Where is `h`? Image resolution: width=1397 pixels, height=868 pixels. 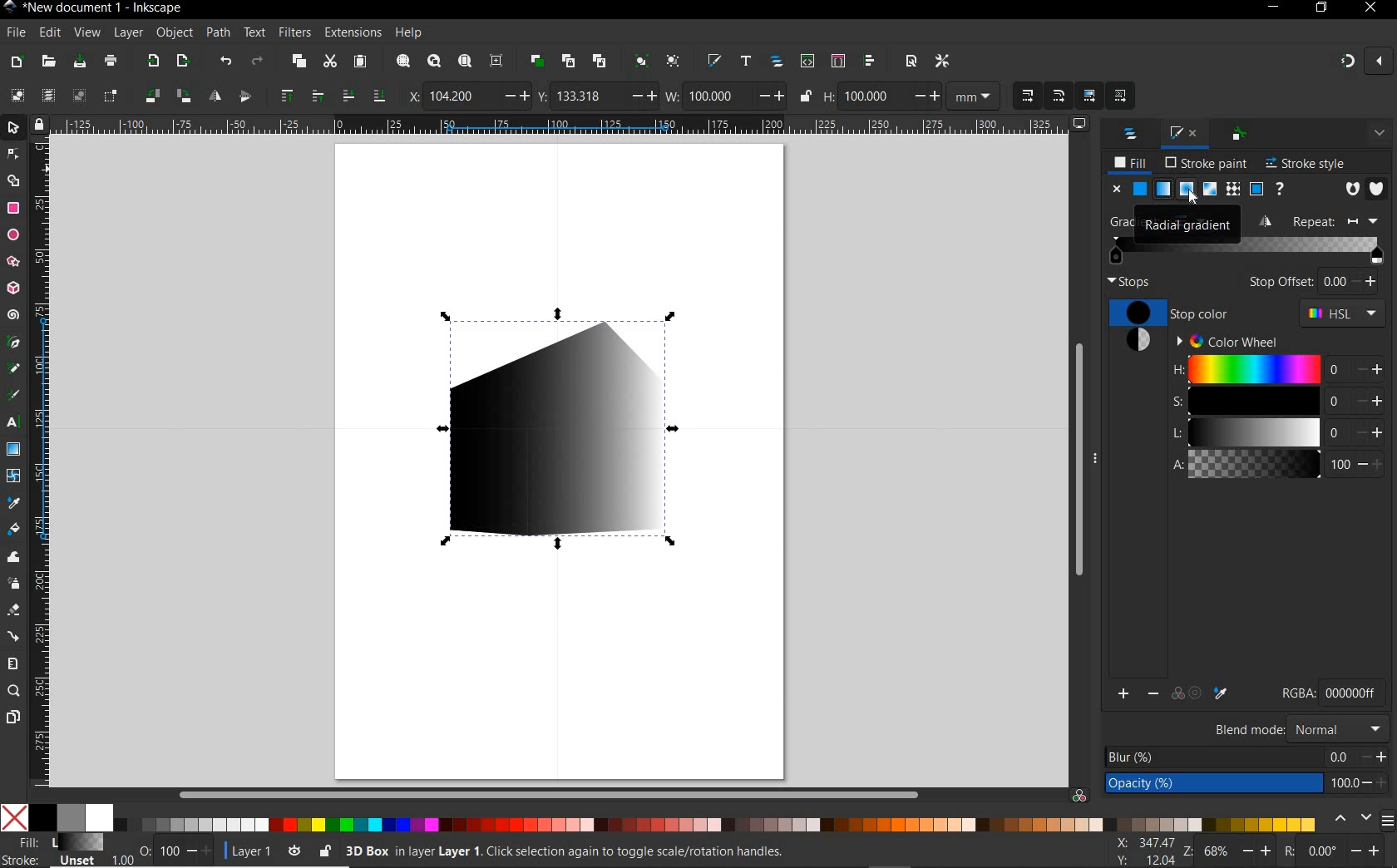
h is located at coordinates (1253, 369).